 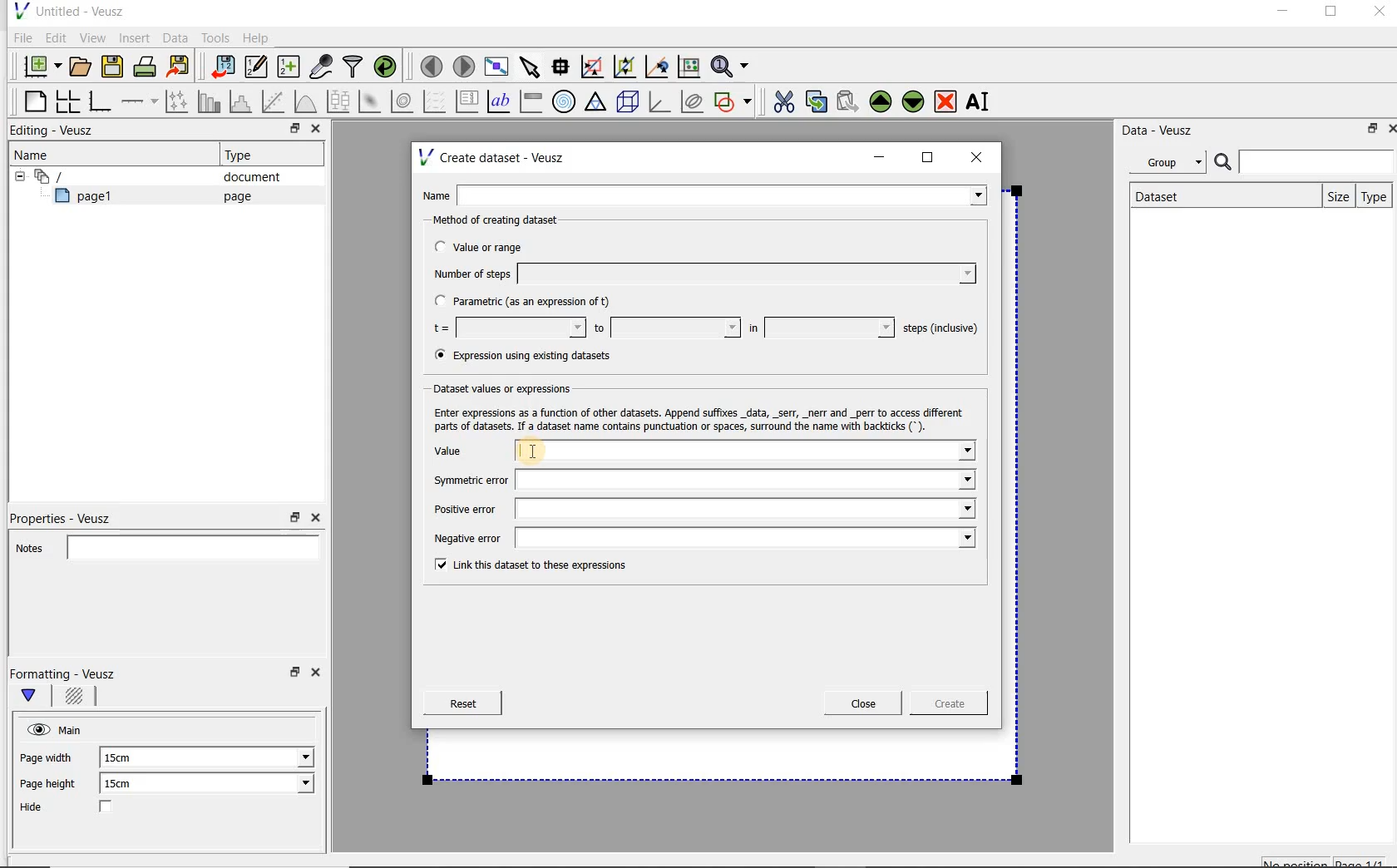 What do you see at coordinates (372, 102) in the screenshot?
I see `plot a 2d dataset as an image` at bounding box center [372, 102].